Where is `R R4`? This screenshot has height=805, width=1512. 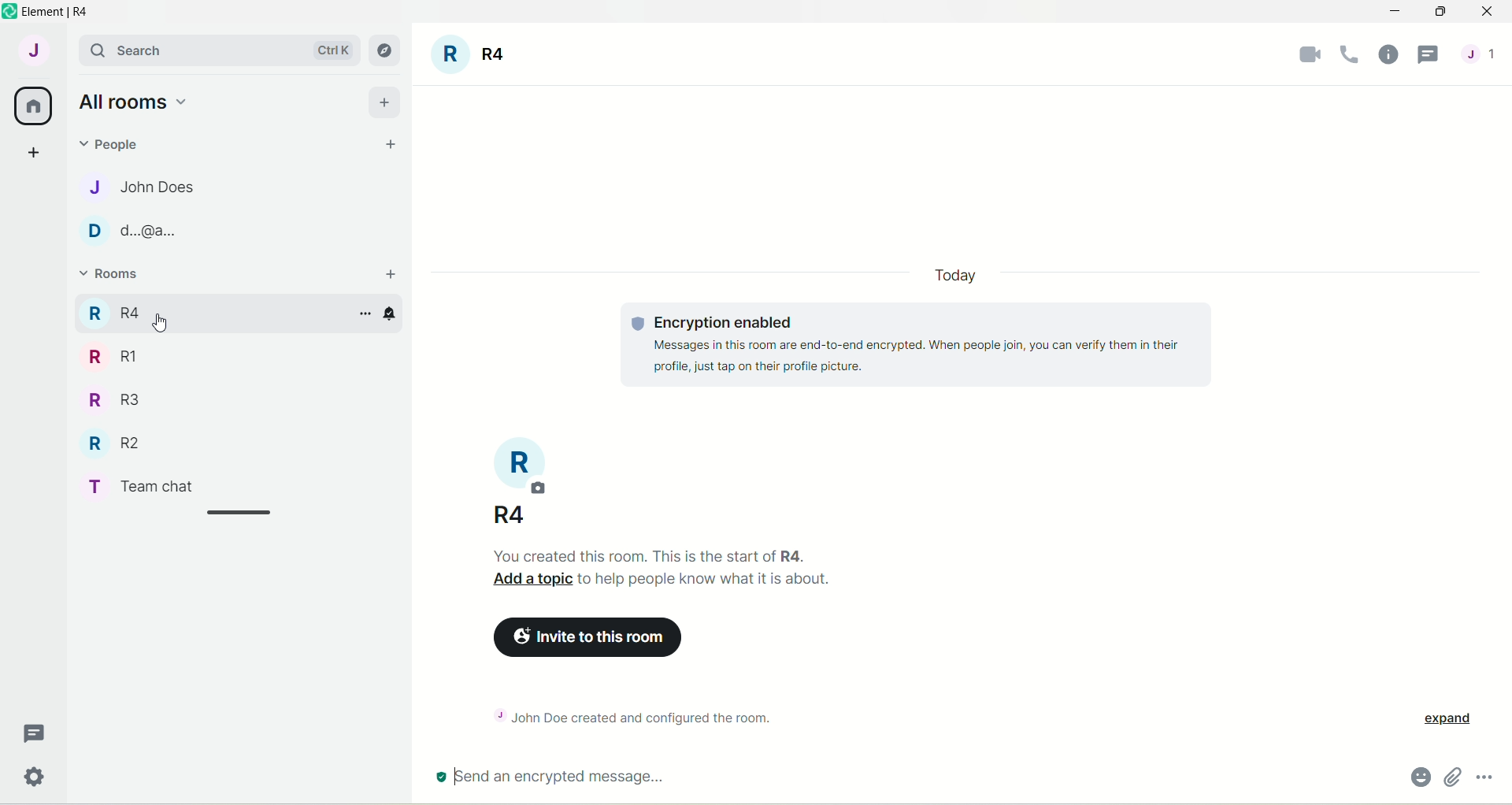
R R4 is located at coordinates (113, 310).